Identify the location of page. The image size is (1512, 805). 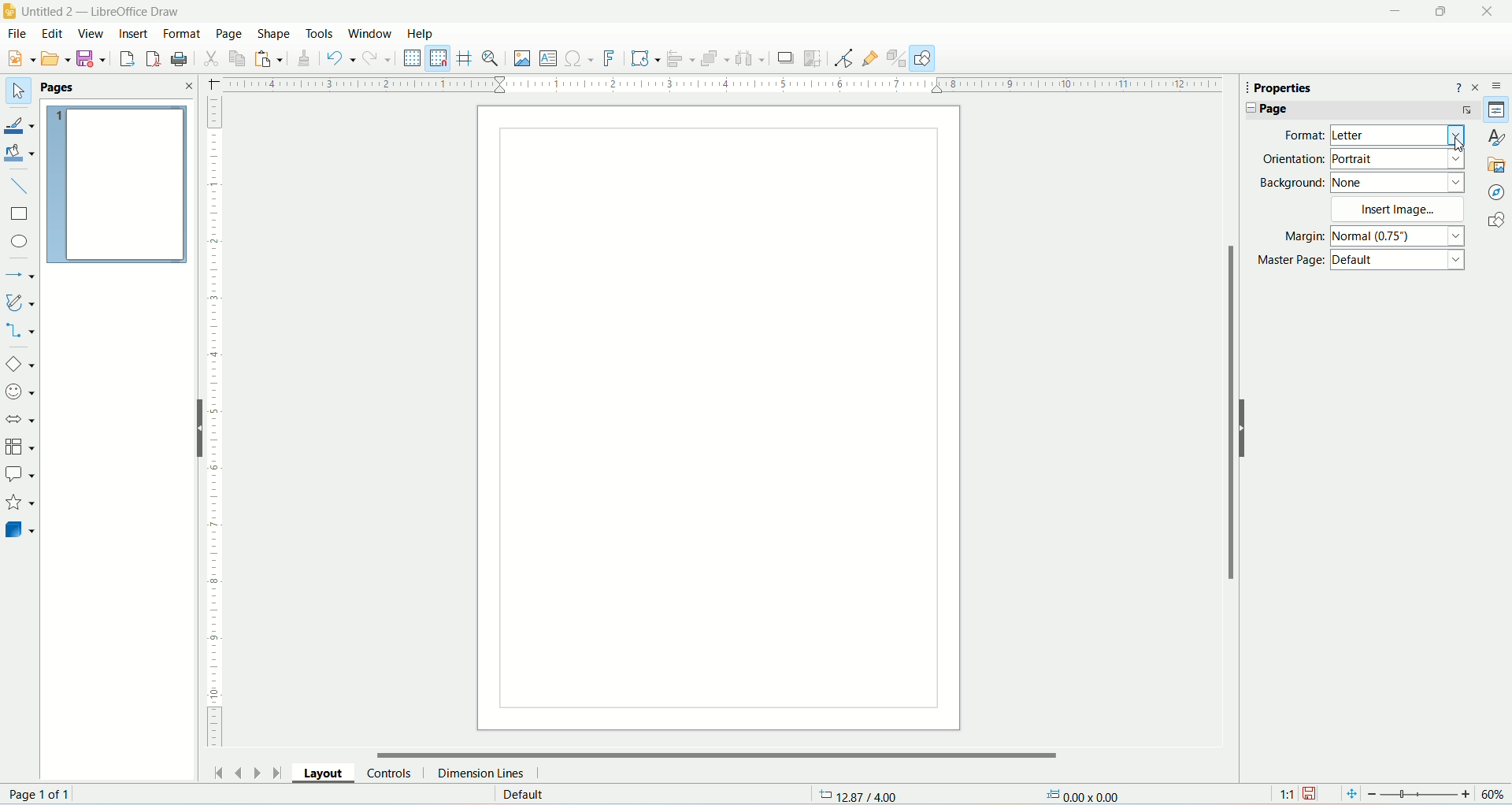
(720, 421).